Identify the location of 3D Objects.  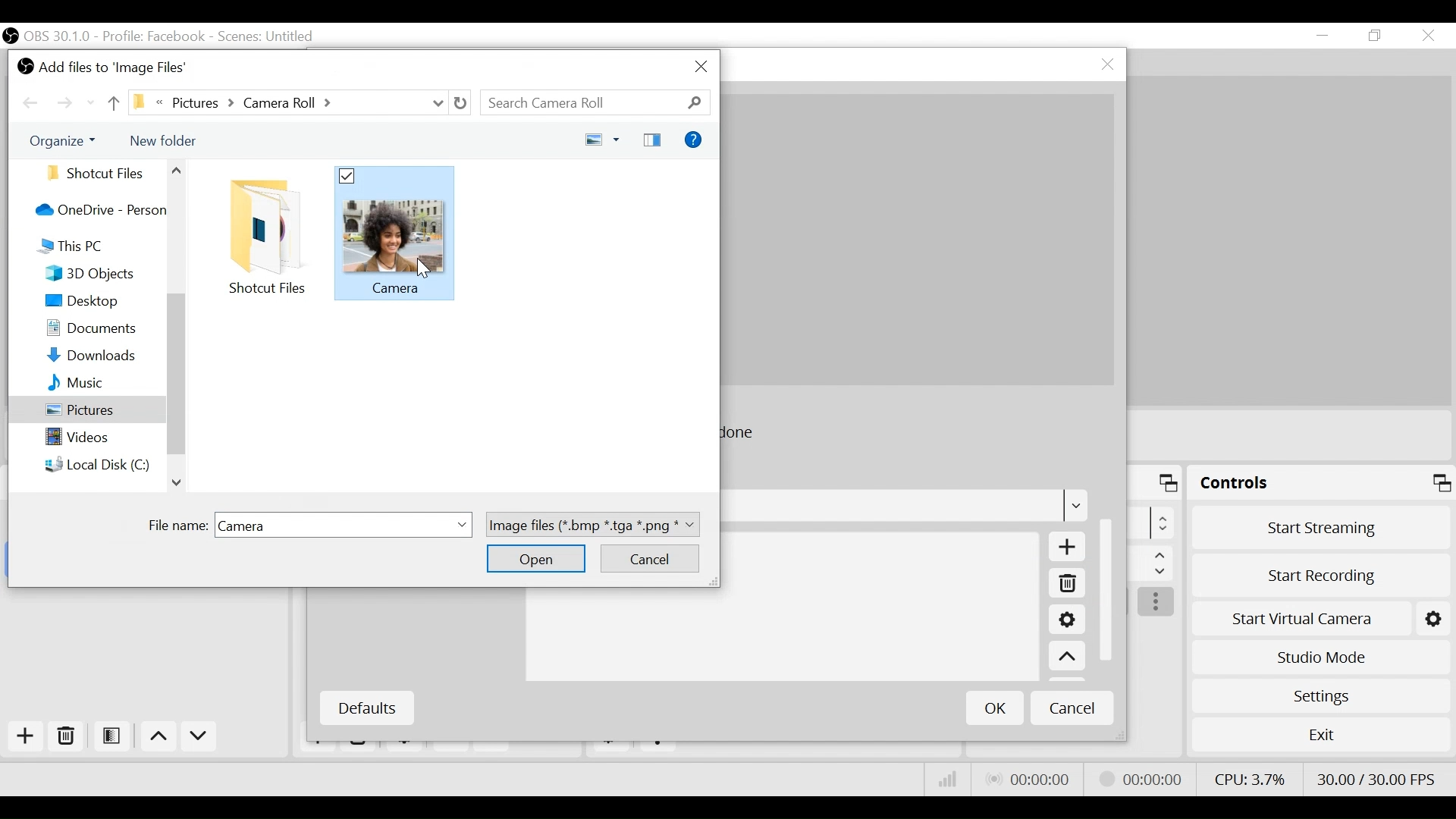
(103, 275).